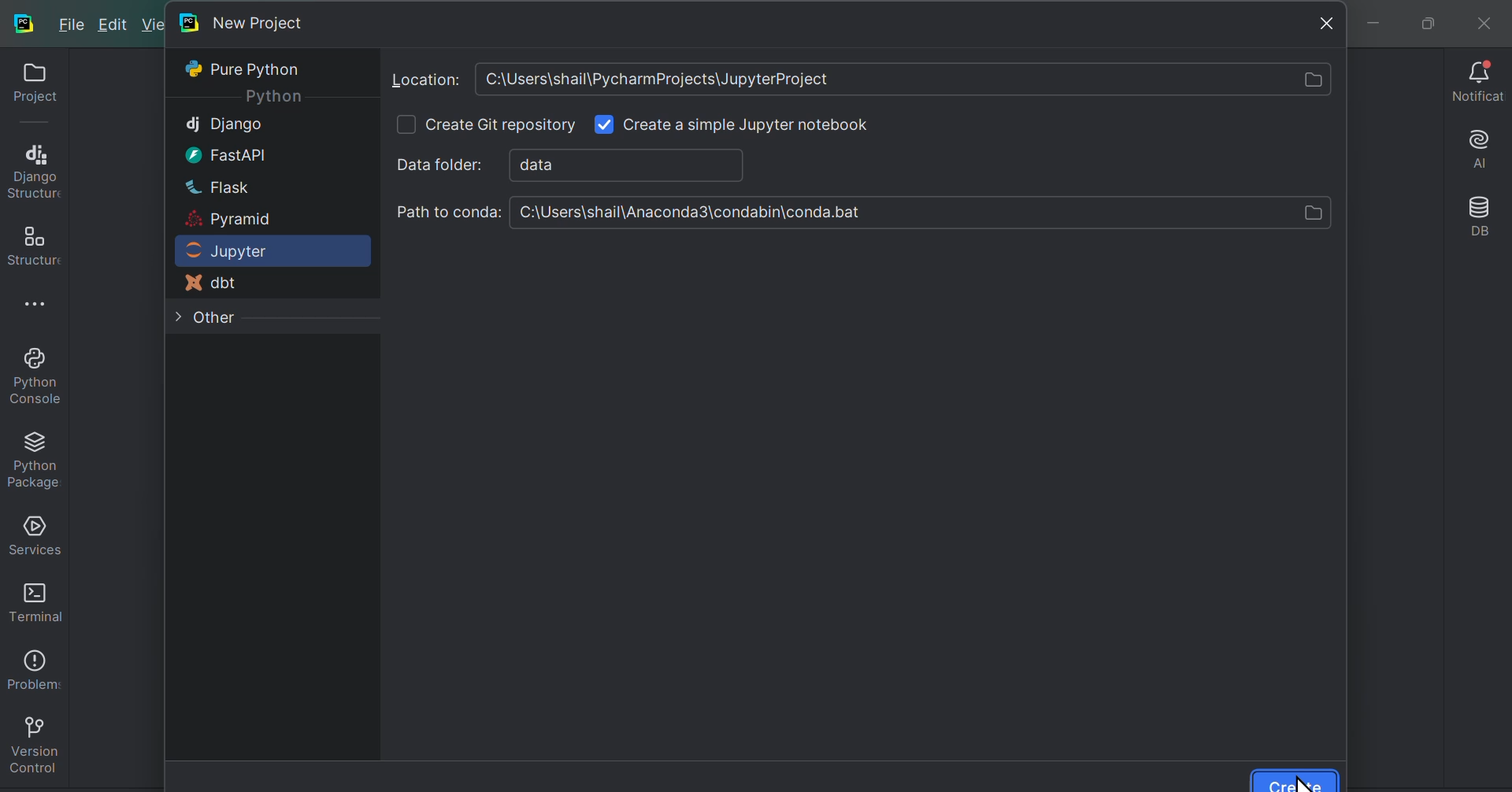 This screenshot has width=1512, height=792. Describe the element at coordinates (32, 241) in the screenshot. I see `Structures` at that location.